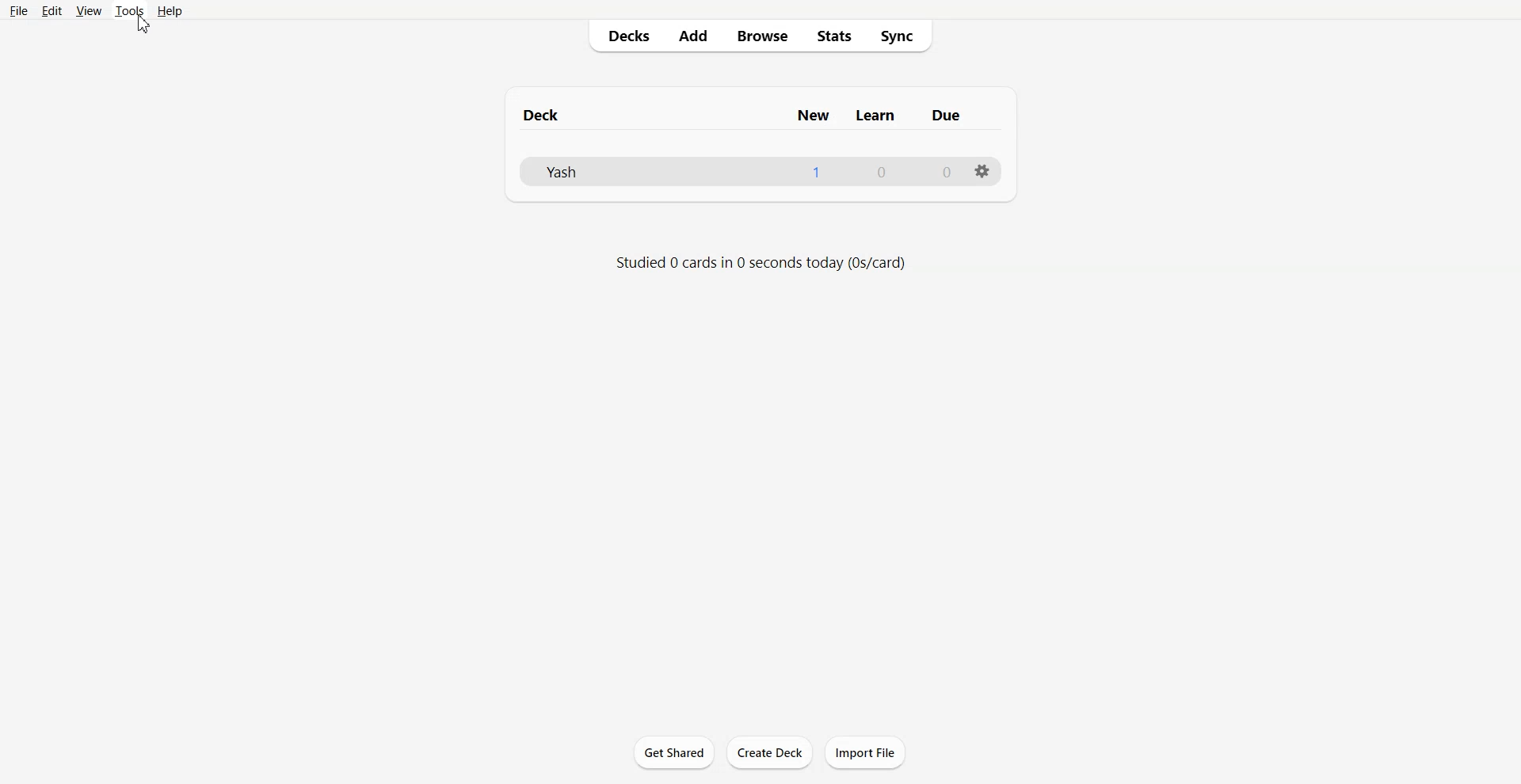 This screenshot has width=1521, height=784. Describe the element at coordinates (984, 171) in the screenshot. I see `Settings` at that location.